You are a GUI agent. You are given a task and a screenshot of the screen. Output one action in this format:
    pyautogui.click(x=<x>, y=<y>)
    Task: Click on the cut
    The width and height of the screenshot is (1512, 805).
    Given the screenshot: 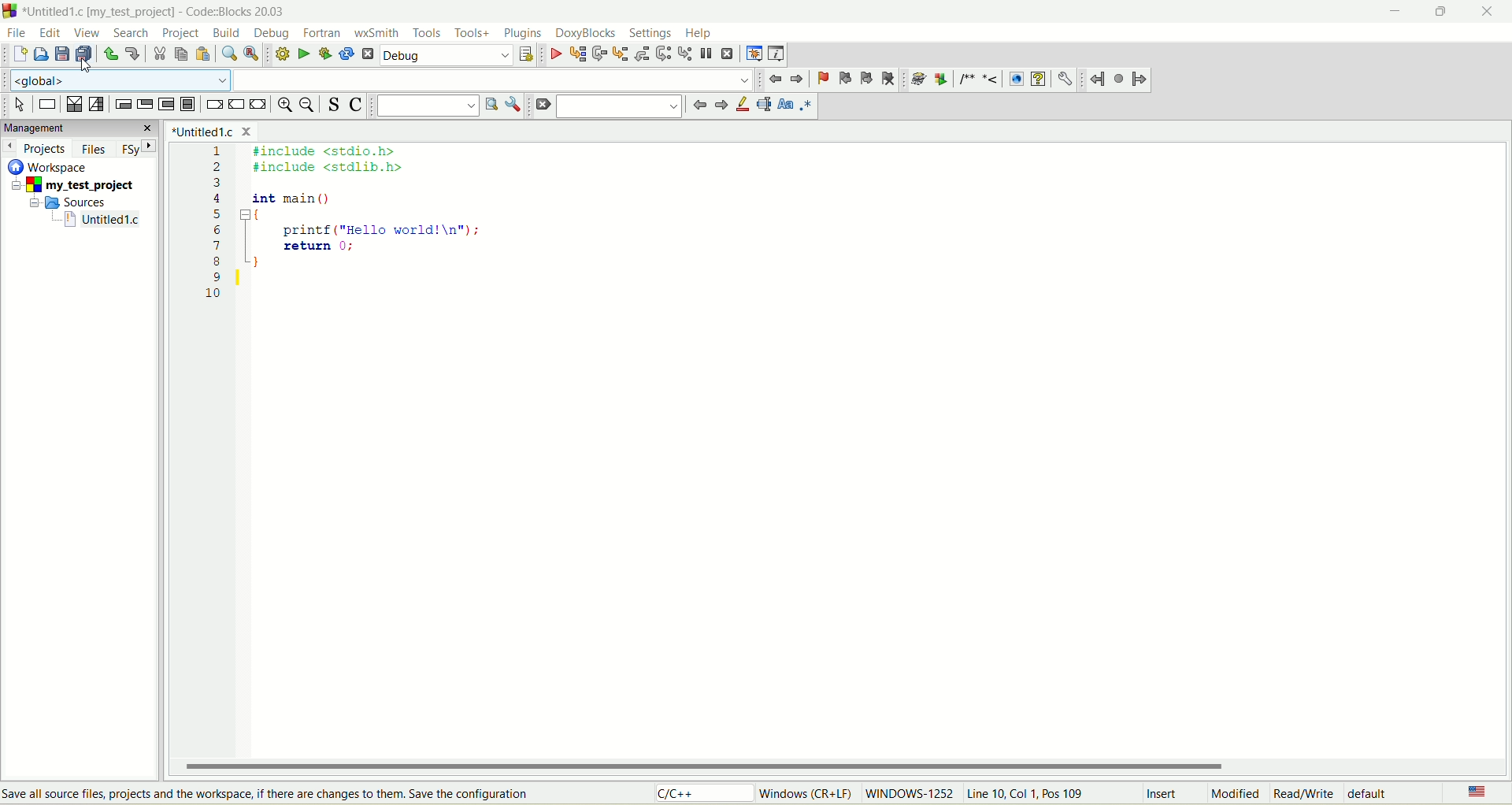 What is the action you would take?
    pyautogui.click(x=160, y=55)
    